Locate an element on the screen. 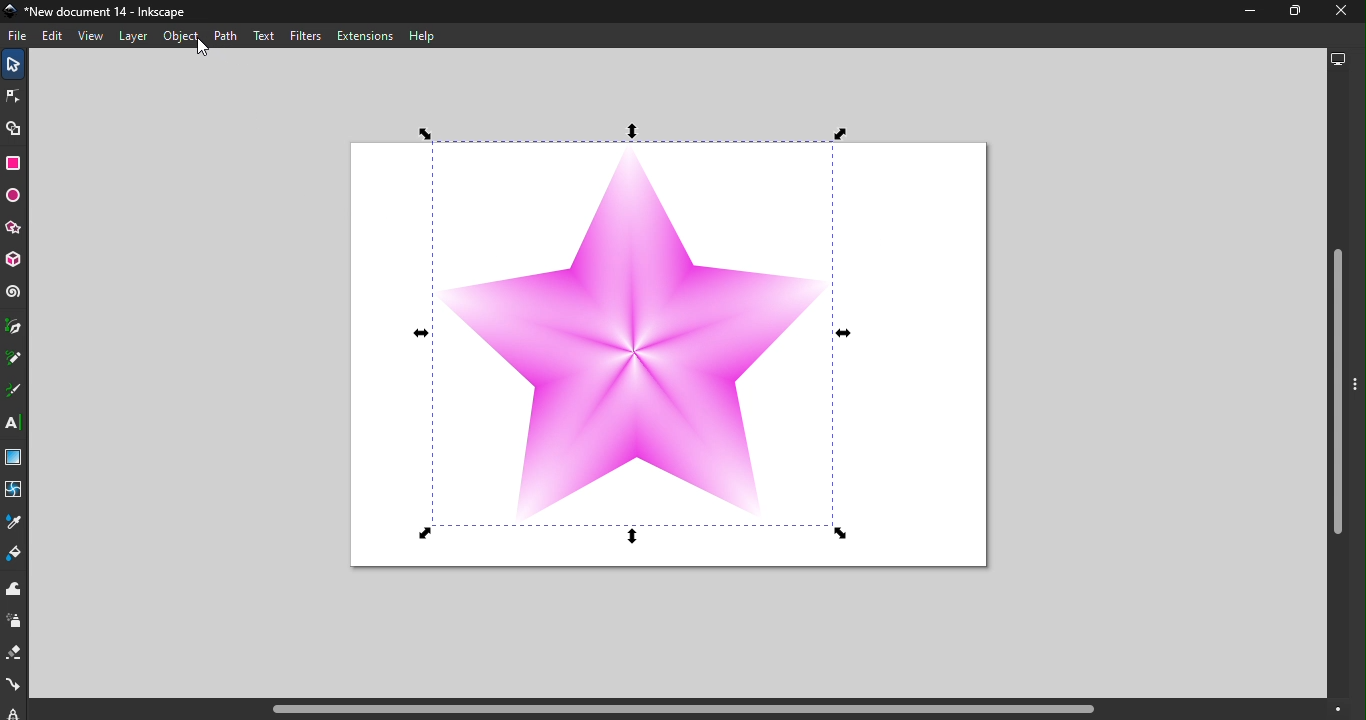  View is located at coordinates (91, 38).